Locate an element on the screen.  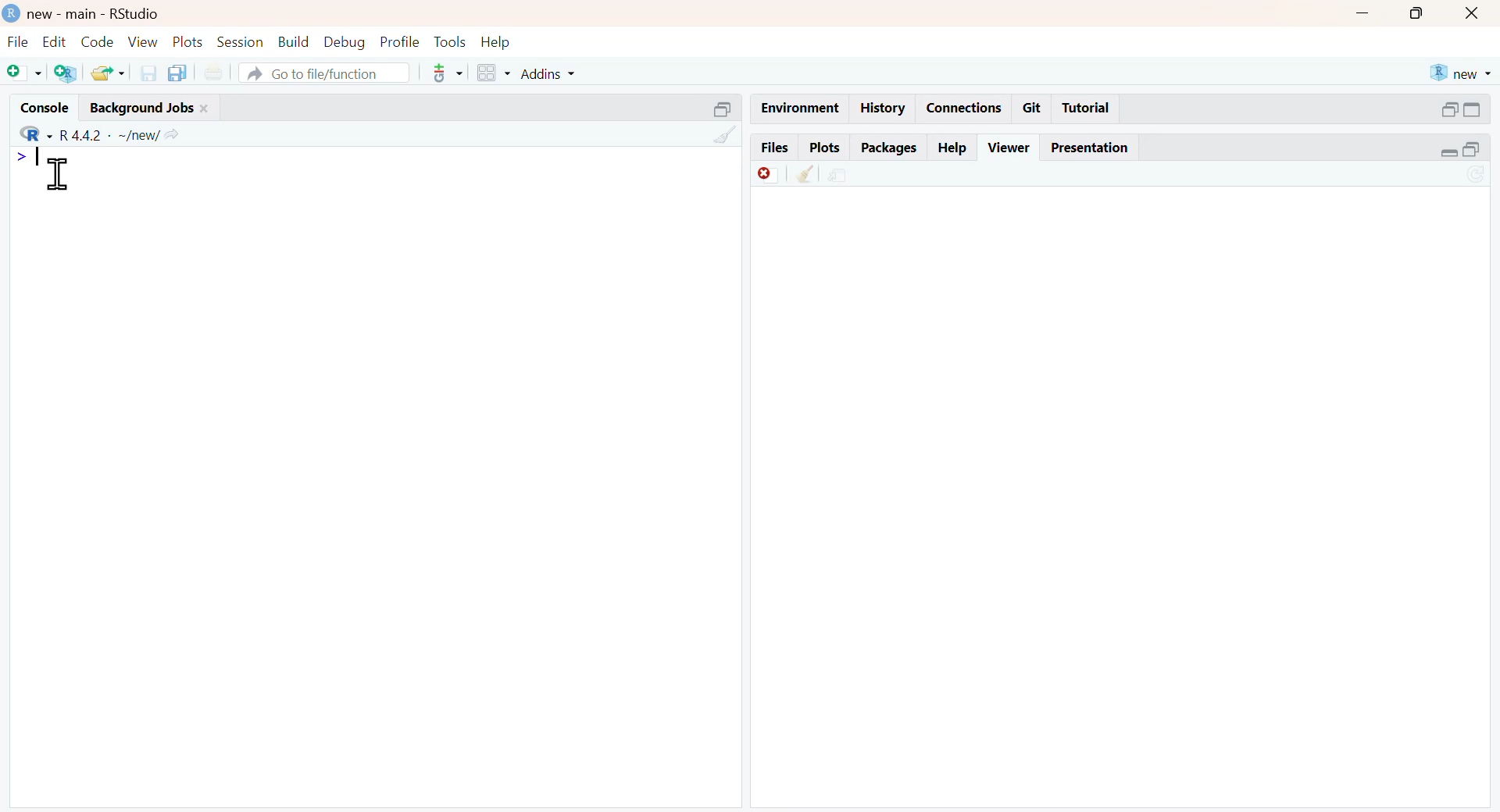
build is located at coordinates (295, 41).